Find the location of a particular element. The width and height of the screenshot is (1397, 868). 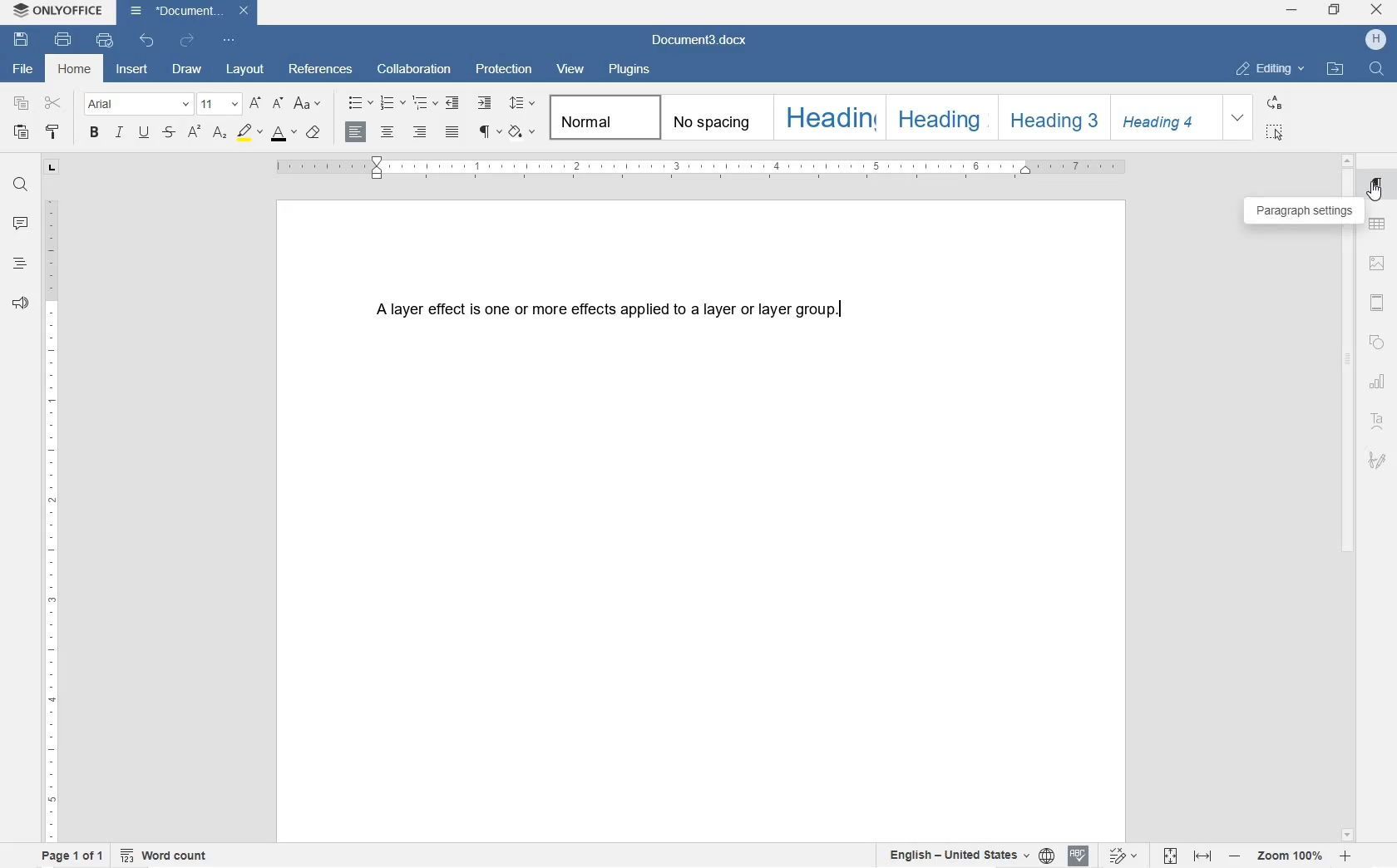

DOCUMENT3.DOCX is located at coordinates (704, 38).